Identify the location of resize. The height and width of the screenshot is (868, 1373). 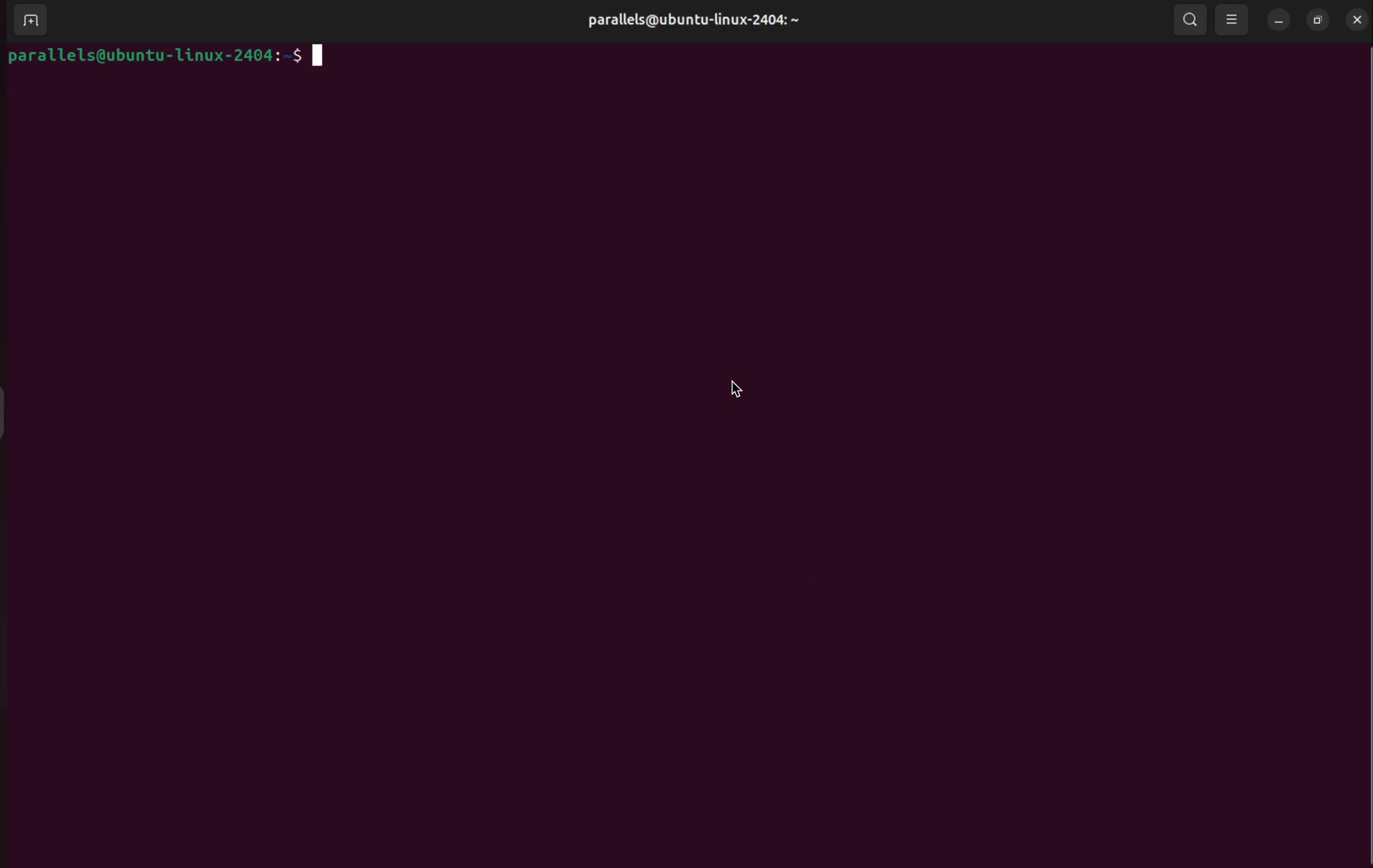
(1318, 20).